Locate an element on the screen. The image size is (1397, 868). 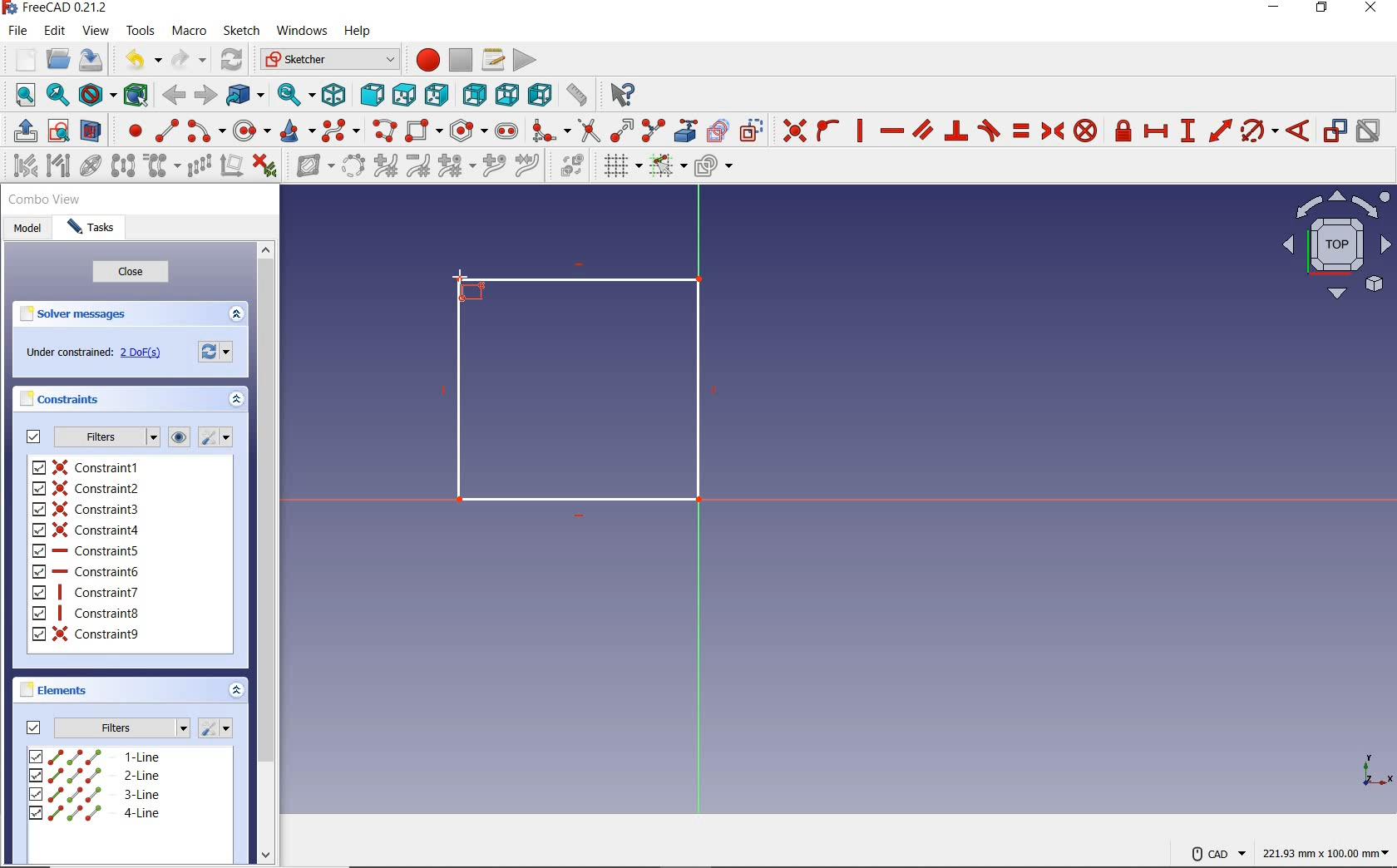
select associated constraints is located at coordinates (19, 165).